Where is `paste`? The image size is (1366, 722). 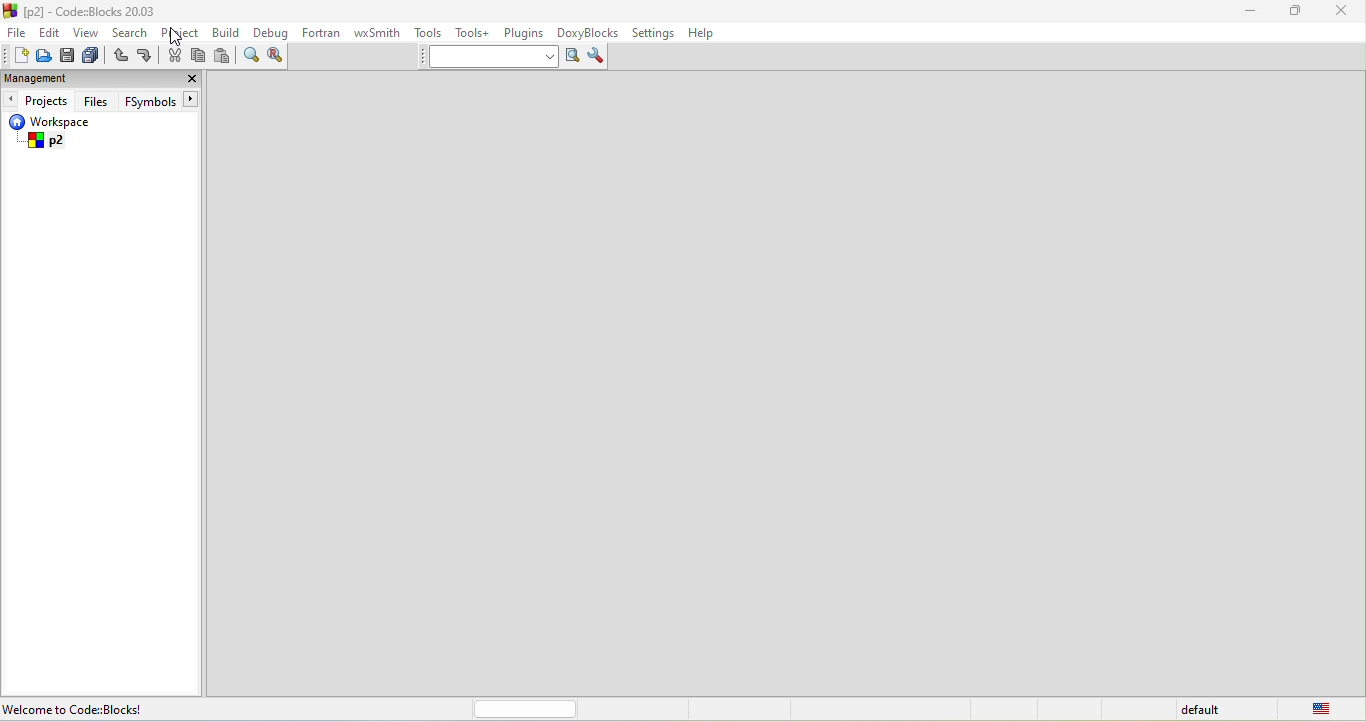 paste is located at coordinates (223, 58).